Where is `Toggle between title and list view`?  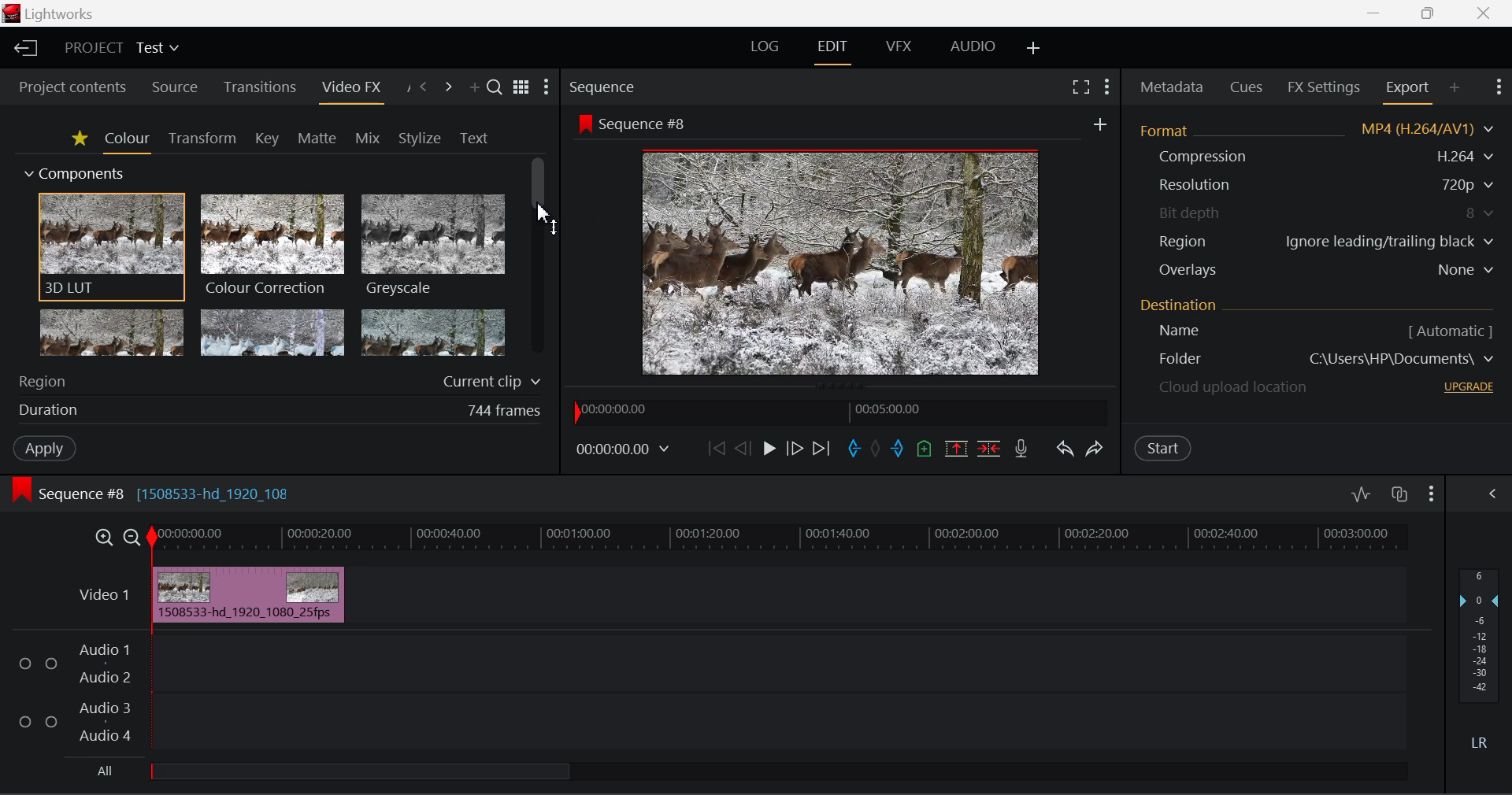 Toggle between title and list view is located at coordinates (523, 88).